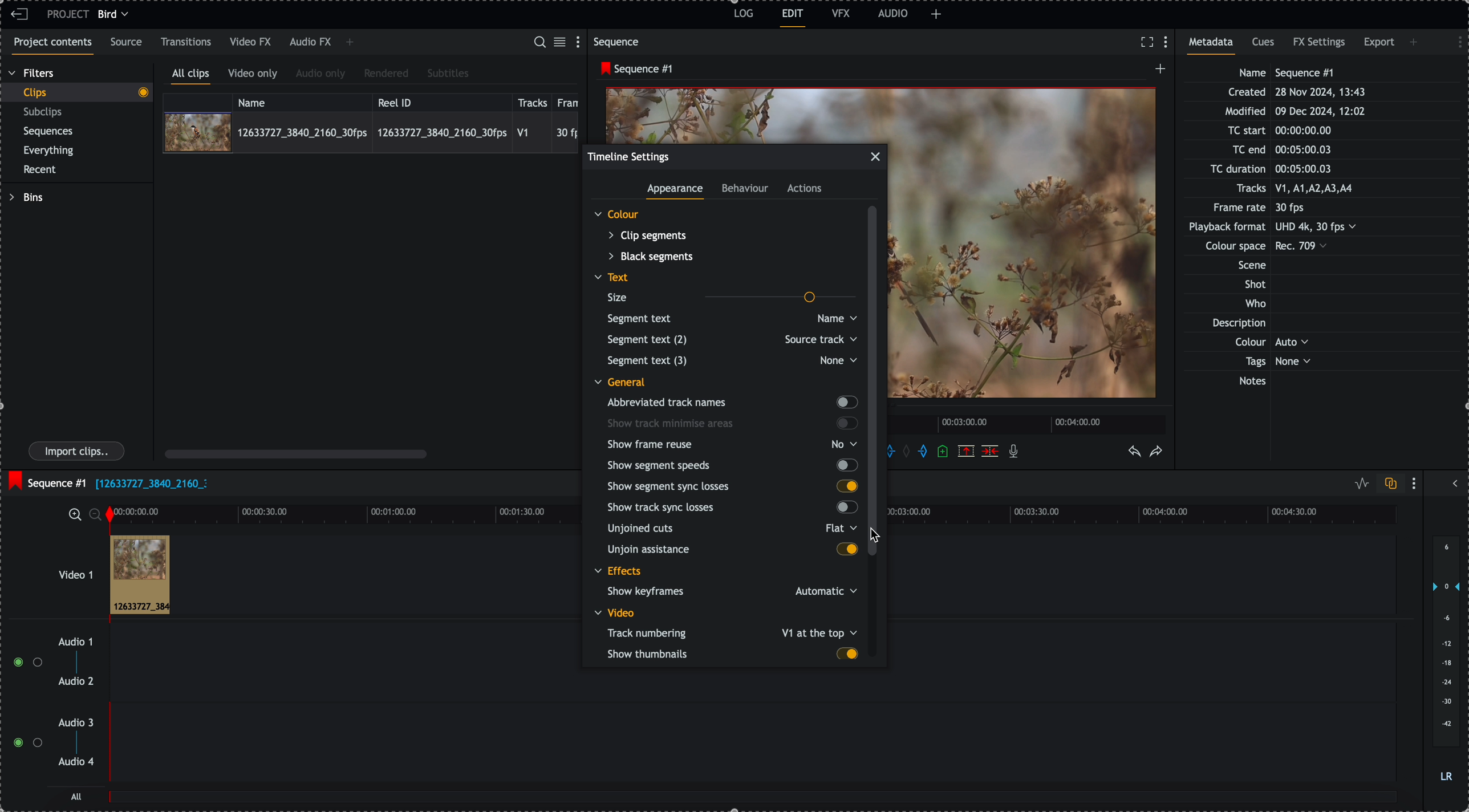  I want to click on toggle between list and tile view, so click(562, 43).